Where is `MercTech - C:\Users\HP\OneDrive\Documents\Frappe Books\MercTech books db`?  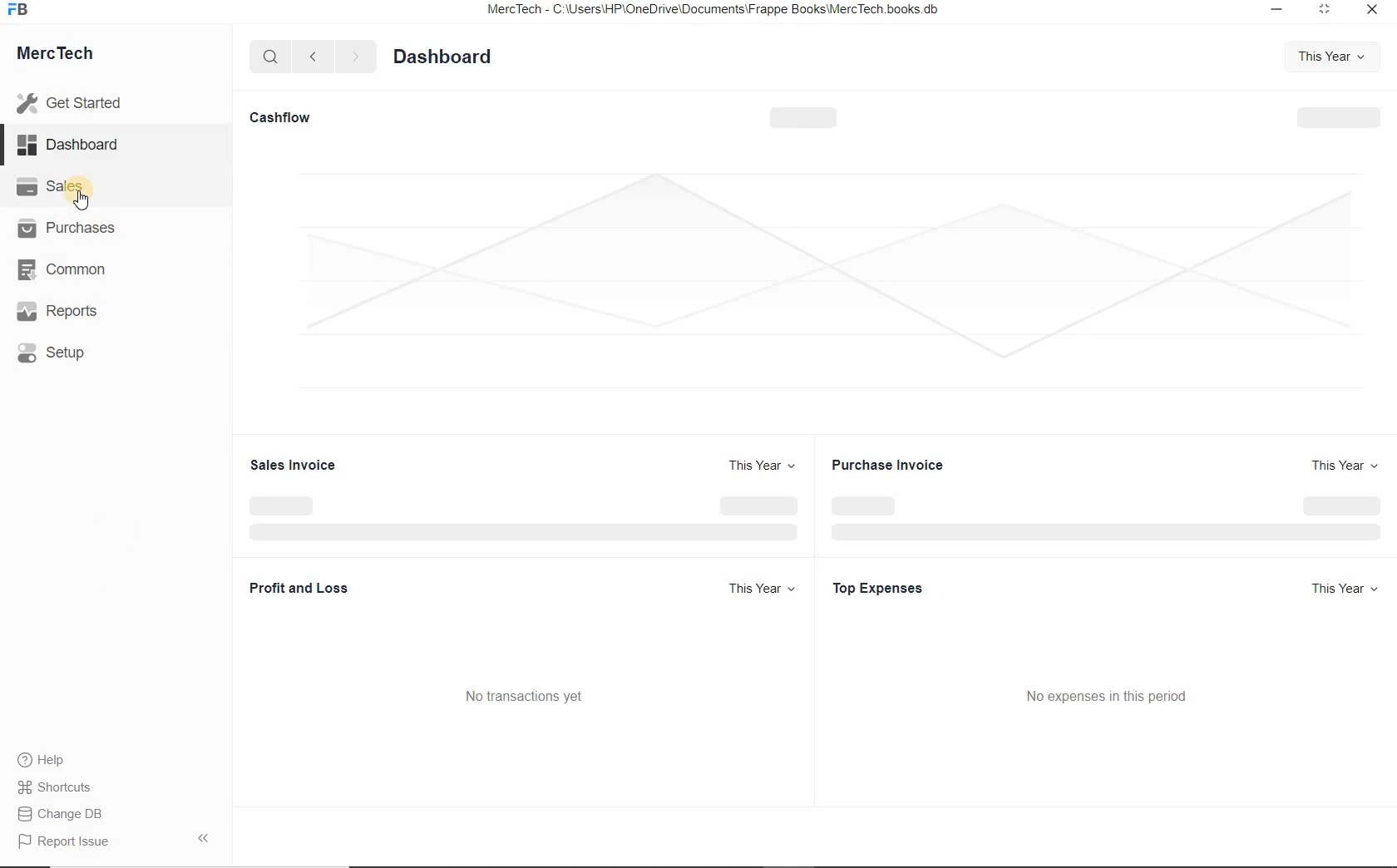
MercTech - C:\Users\HP\OneDrive\Documents\Frappe Books\MercTech books db is located at coordinates (715, 11).